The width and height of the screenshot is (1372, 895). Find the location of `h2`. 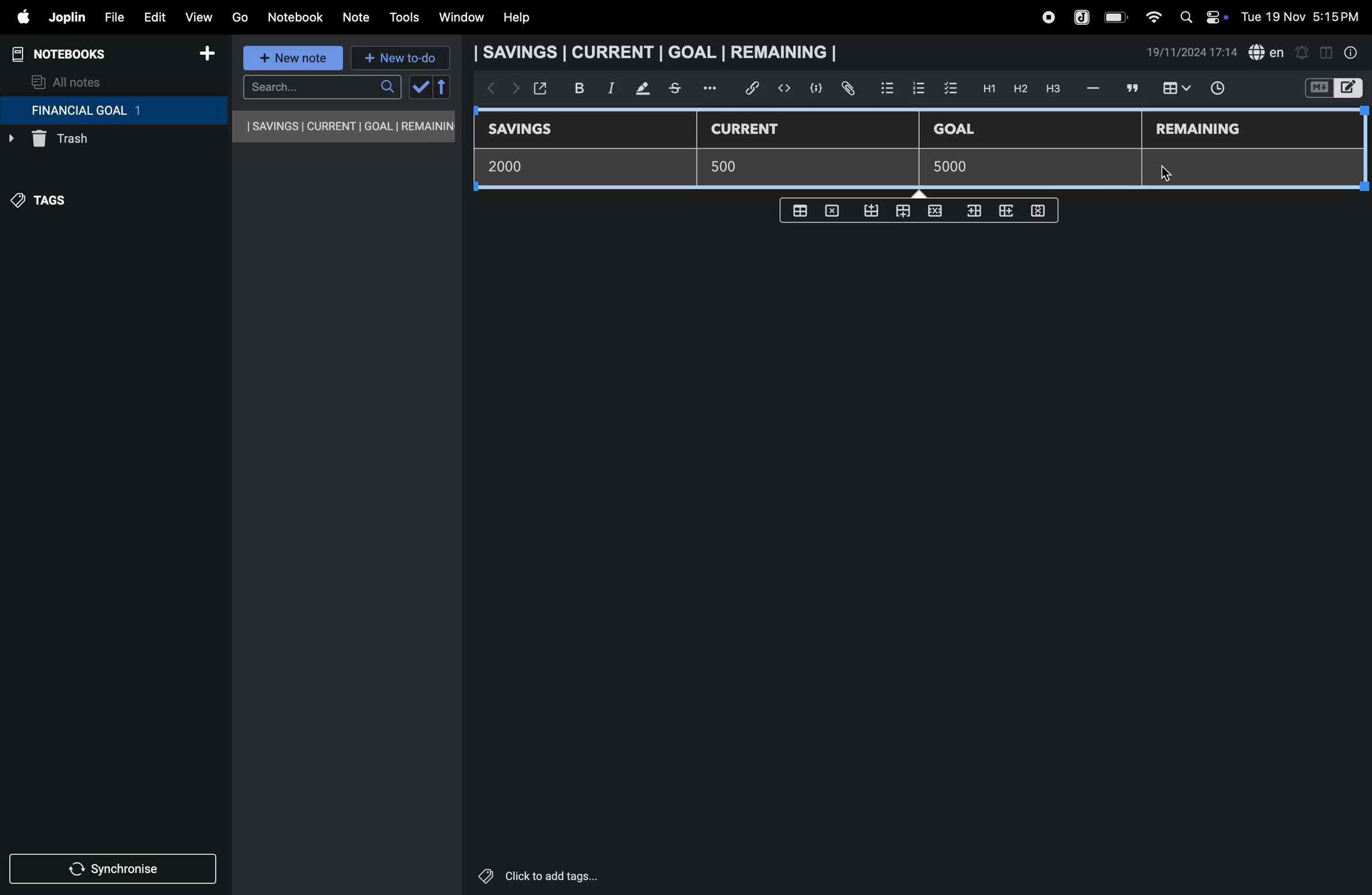

h2 is located at coordinates (1019, 88).